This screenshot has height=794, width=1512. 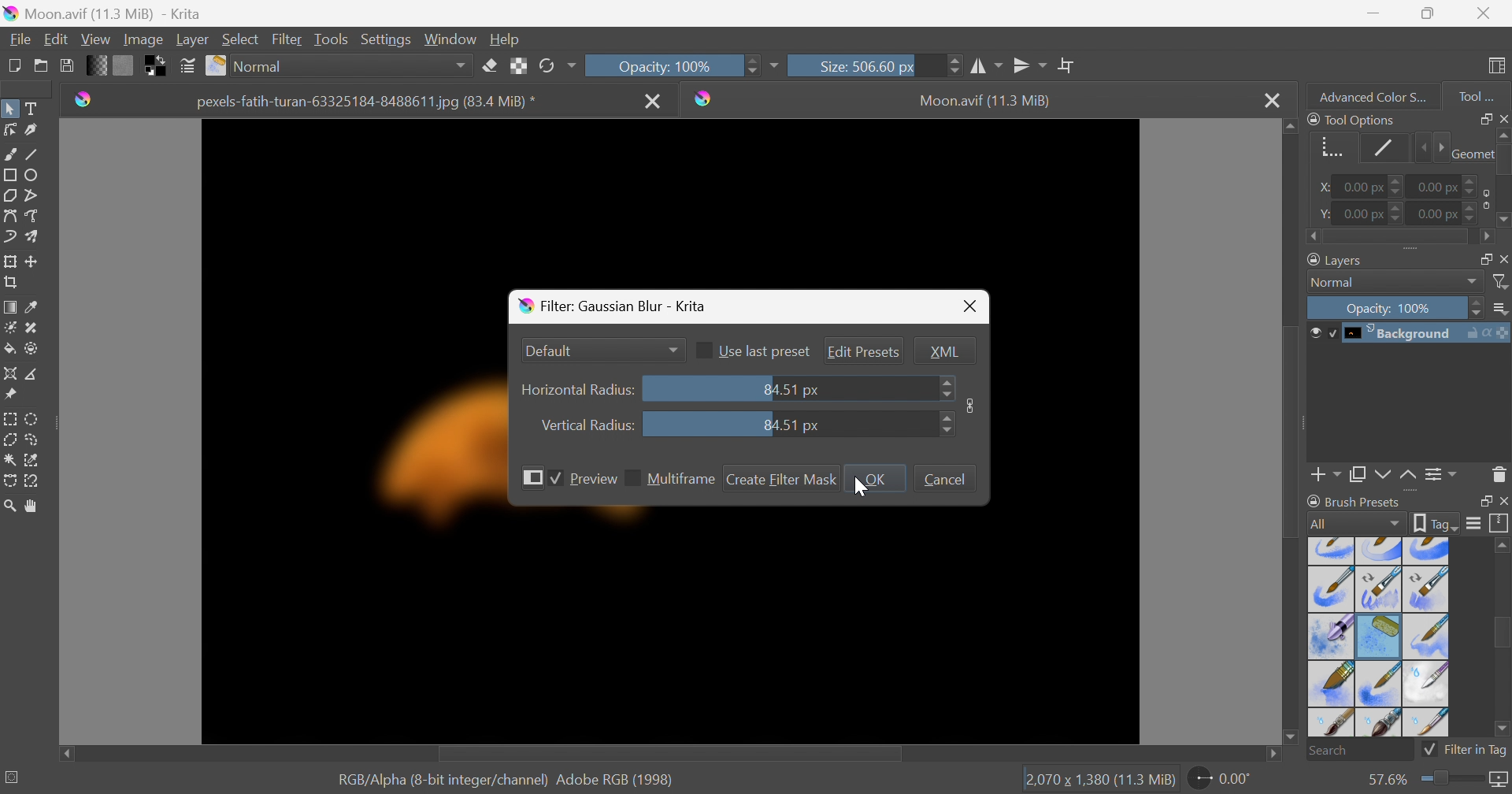 What do you see at coordinates (1499, 477) in the screenshot?
I see `Delete the layer or mask` at bounding box center [1499, 477].